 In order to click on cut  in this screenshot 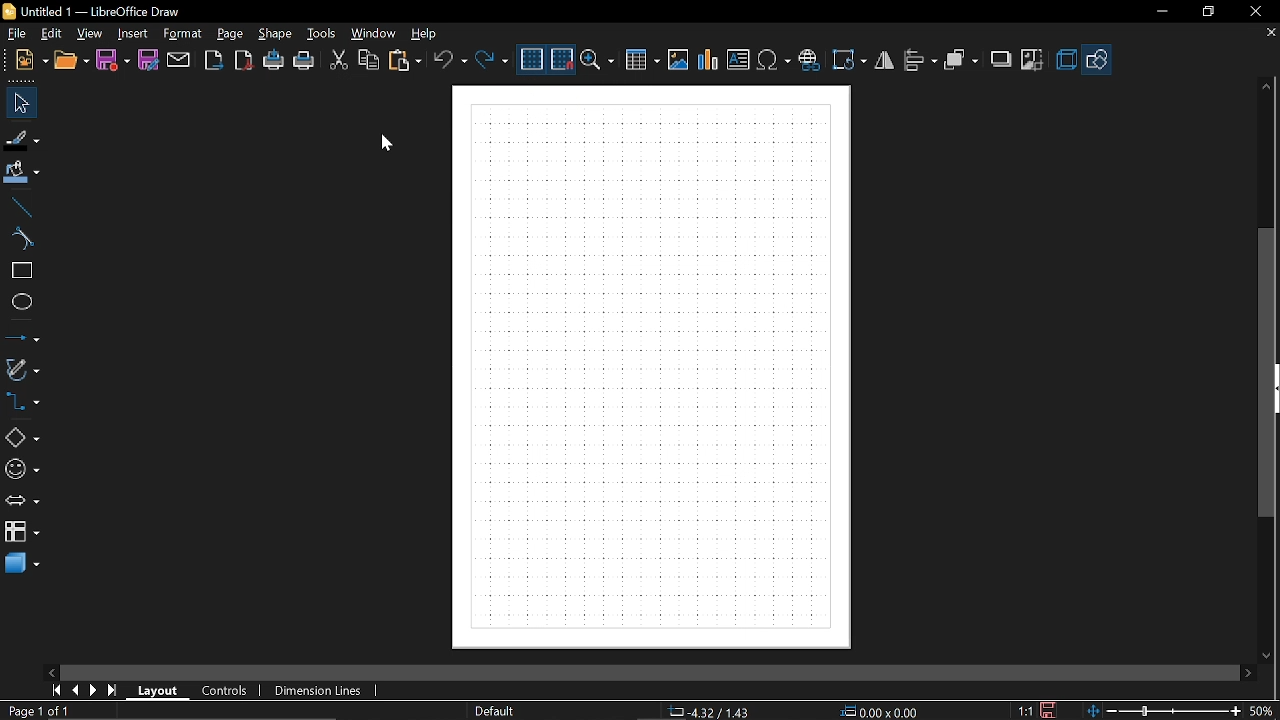, I will do `click(338, 59)`.